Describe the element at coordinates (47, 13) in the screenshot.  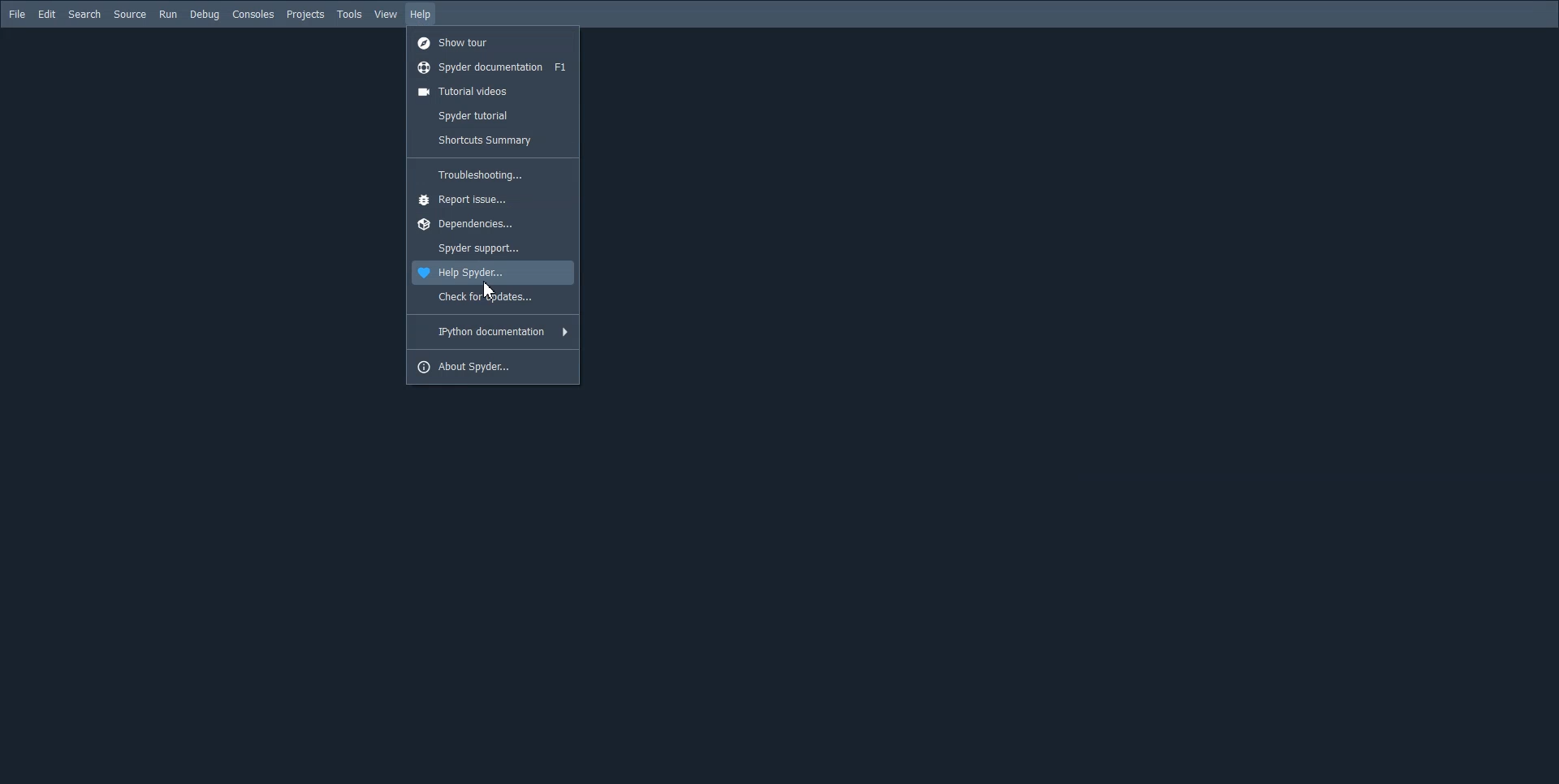
I see `Edit` at that location.